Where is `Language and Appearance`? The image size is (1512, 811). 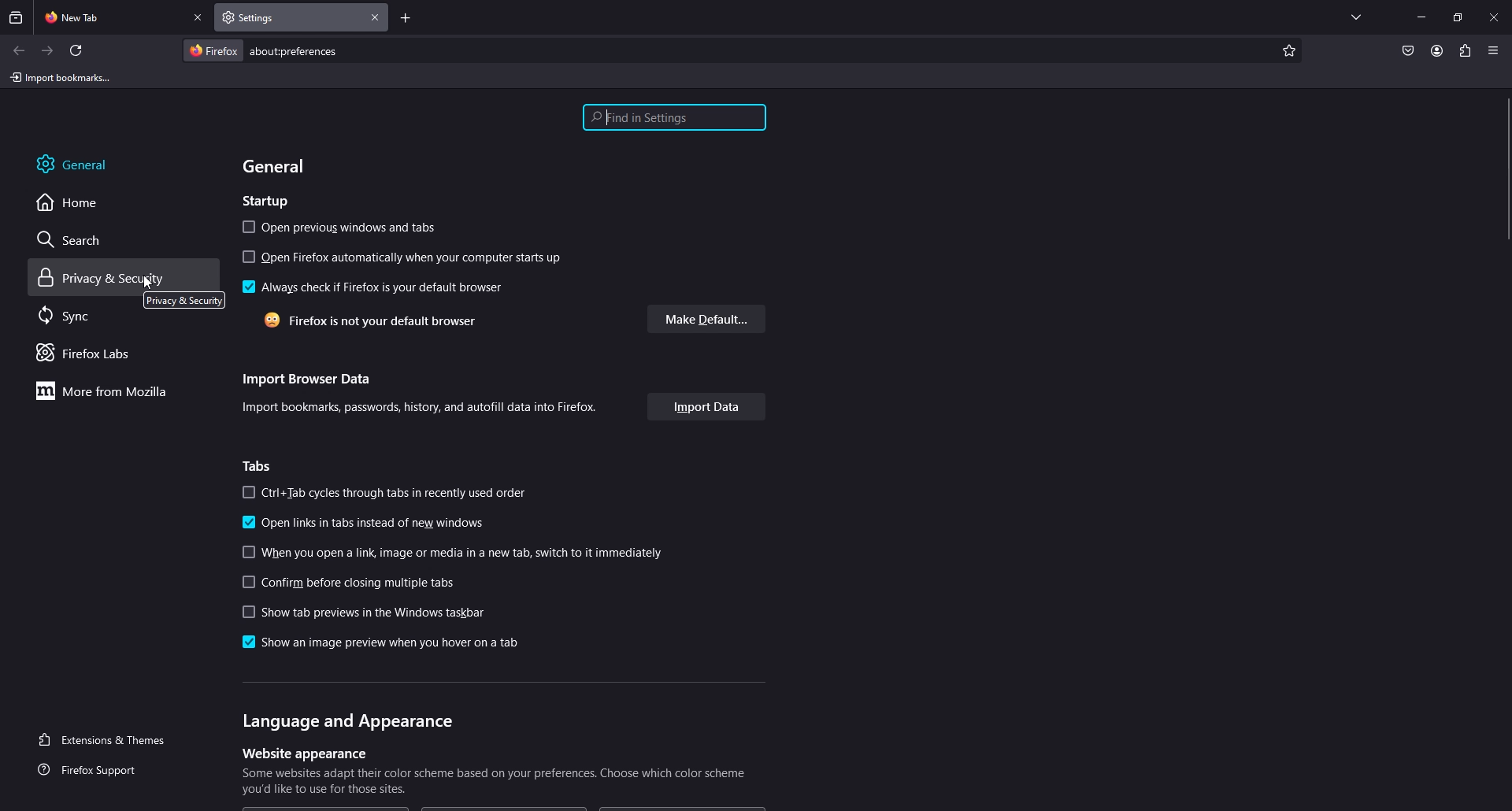
Language and Appearance is located at coordinates (346, 720).